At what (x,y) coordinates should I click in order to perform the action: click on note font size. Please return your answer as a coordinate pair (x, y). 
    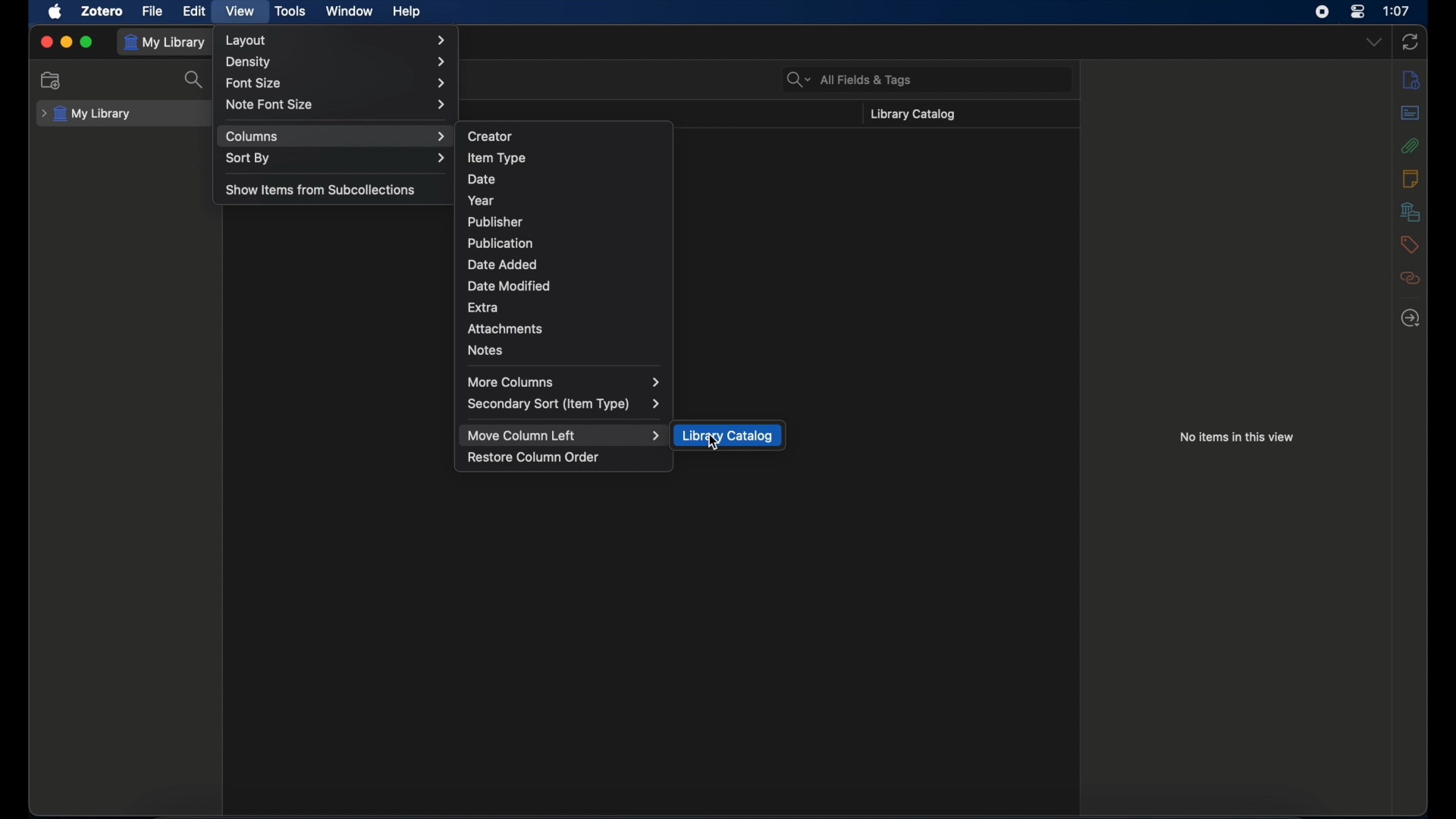
    Looking at the image, I should click on (337, 104).